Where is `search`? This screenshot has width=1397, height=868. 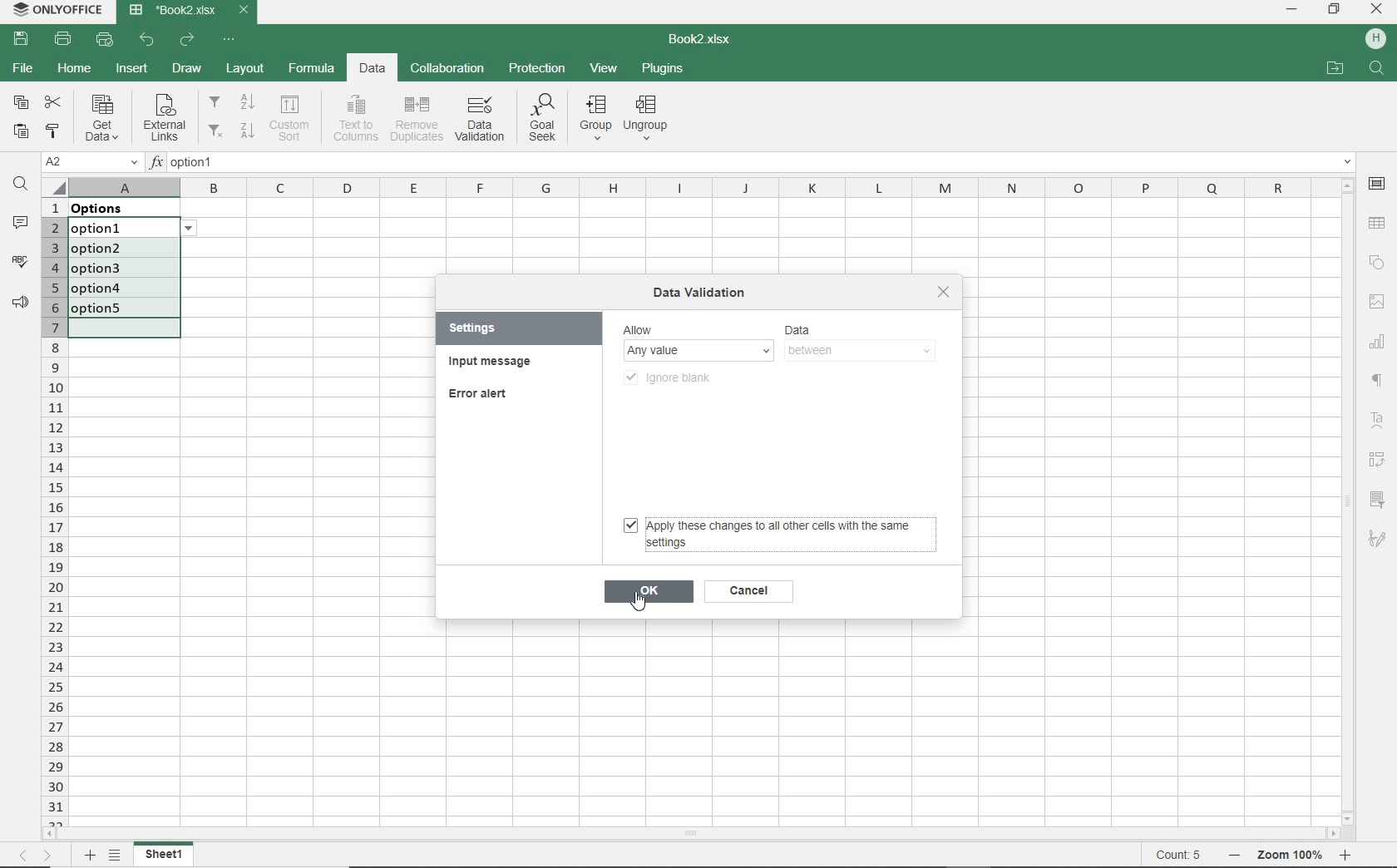 search is located at coordinates (1378, 70).